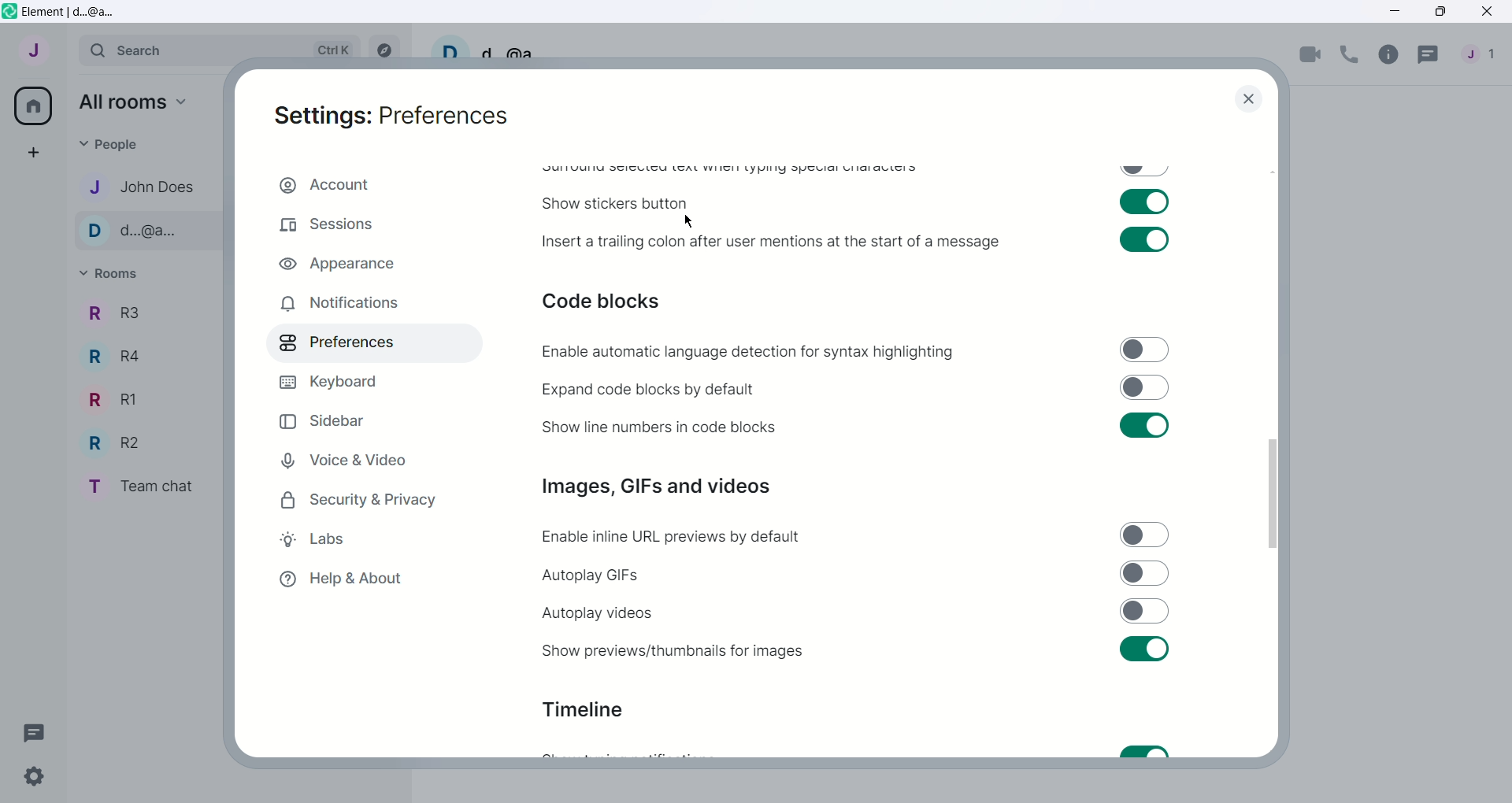 The image size is (1512, 803). I want to click on Toggle switch on, so click(1145, 751).